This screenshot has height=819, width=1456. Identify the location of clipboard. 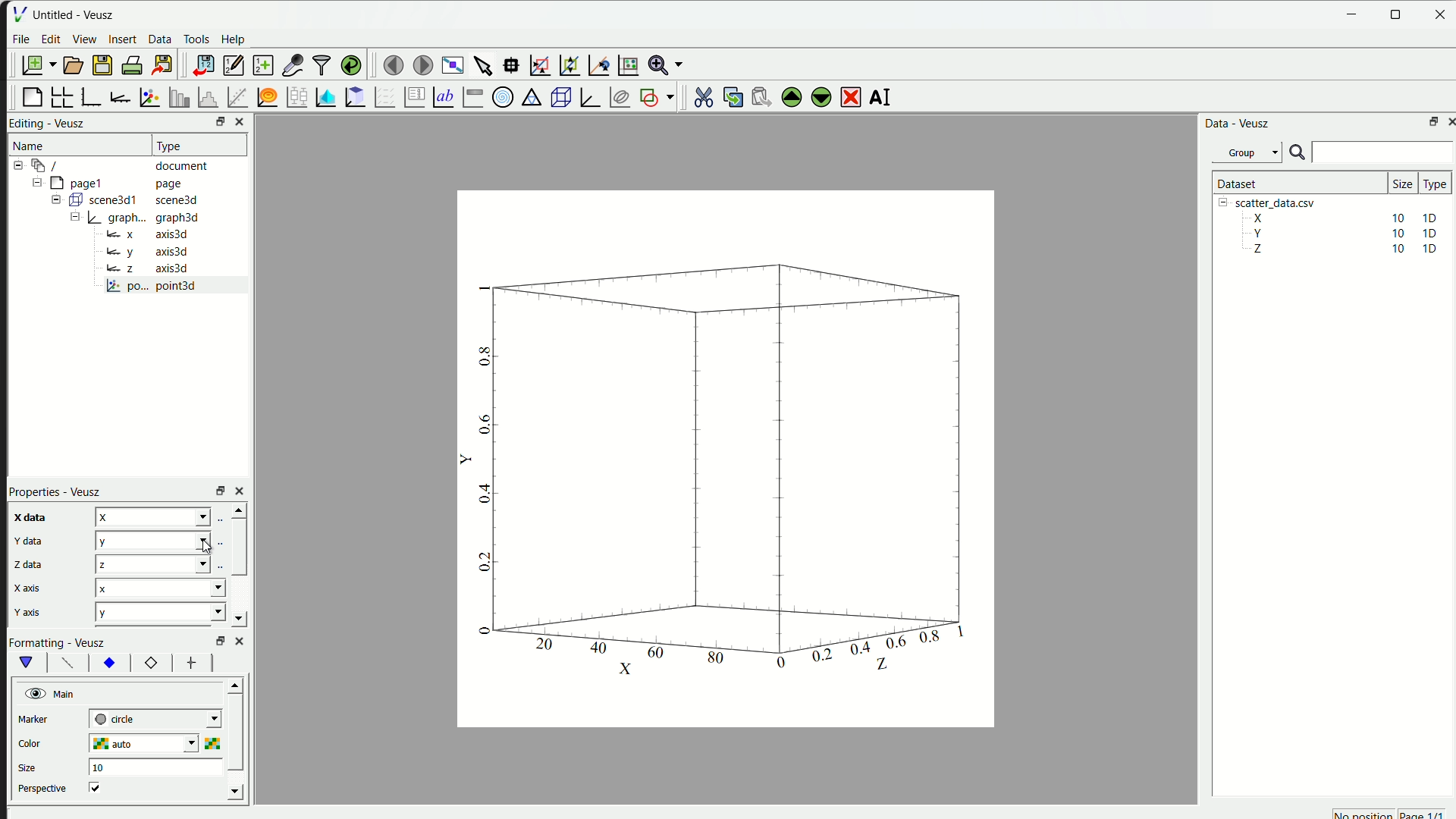
(353, 97).